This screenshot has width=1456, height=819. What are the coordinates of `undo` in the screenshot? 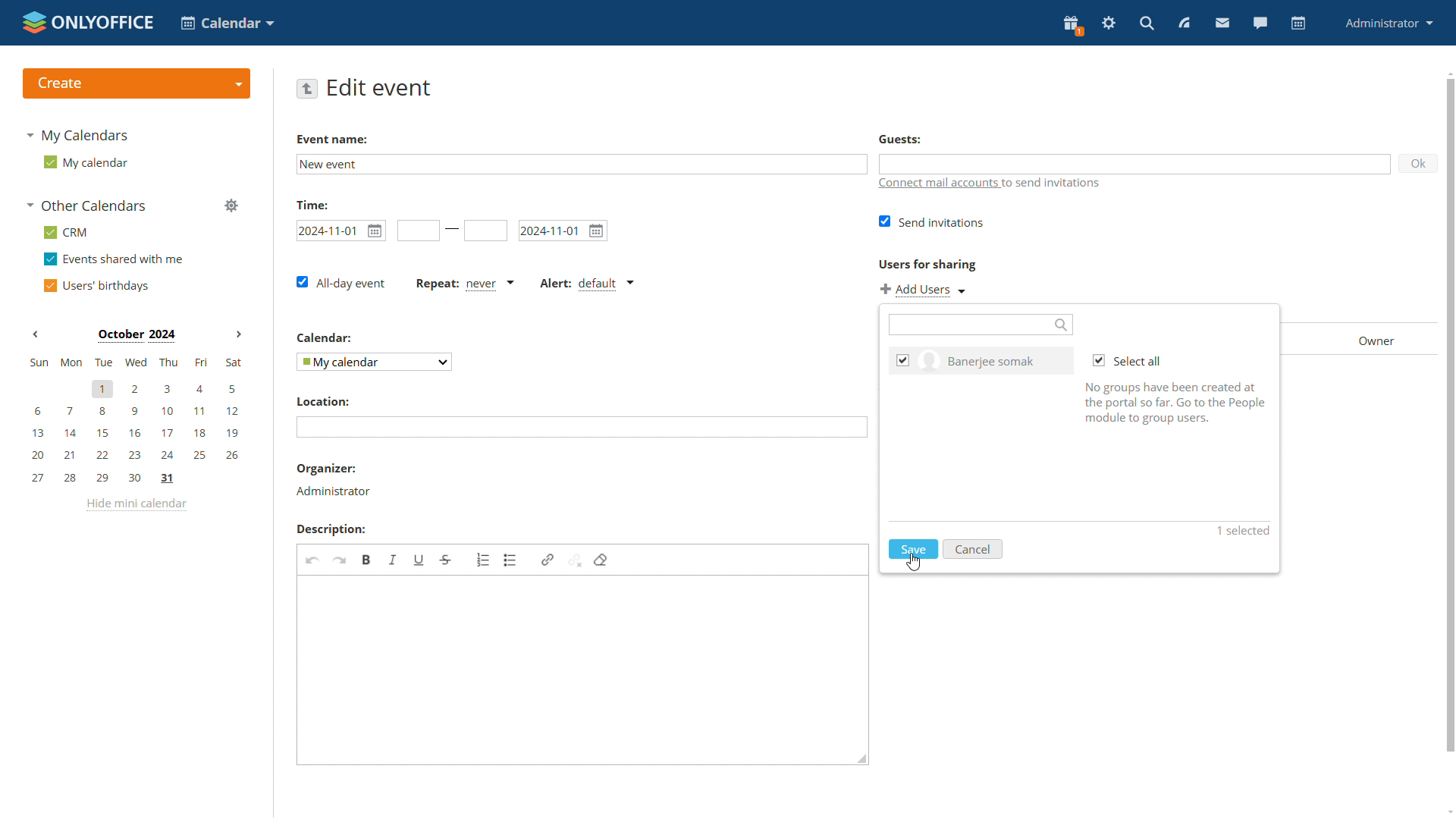 It's located at (312, 559).